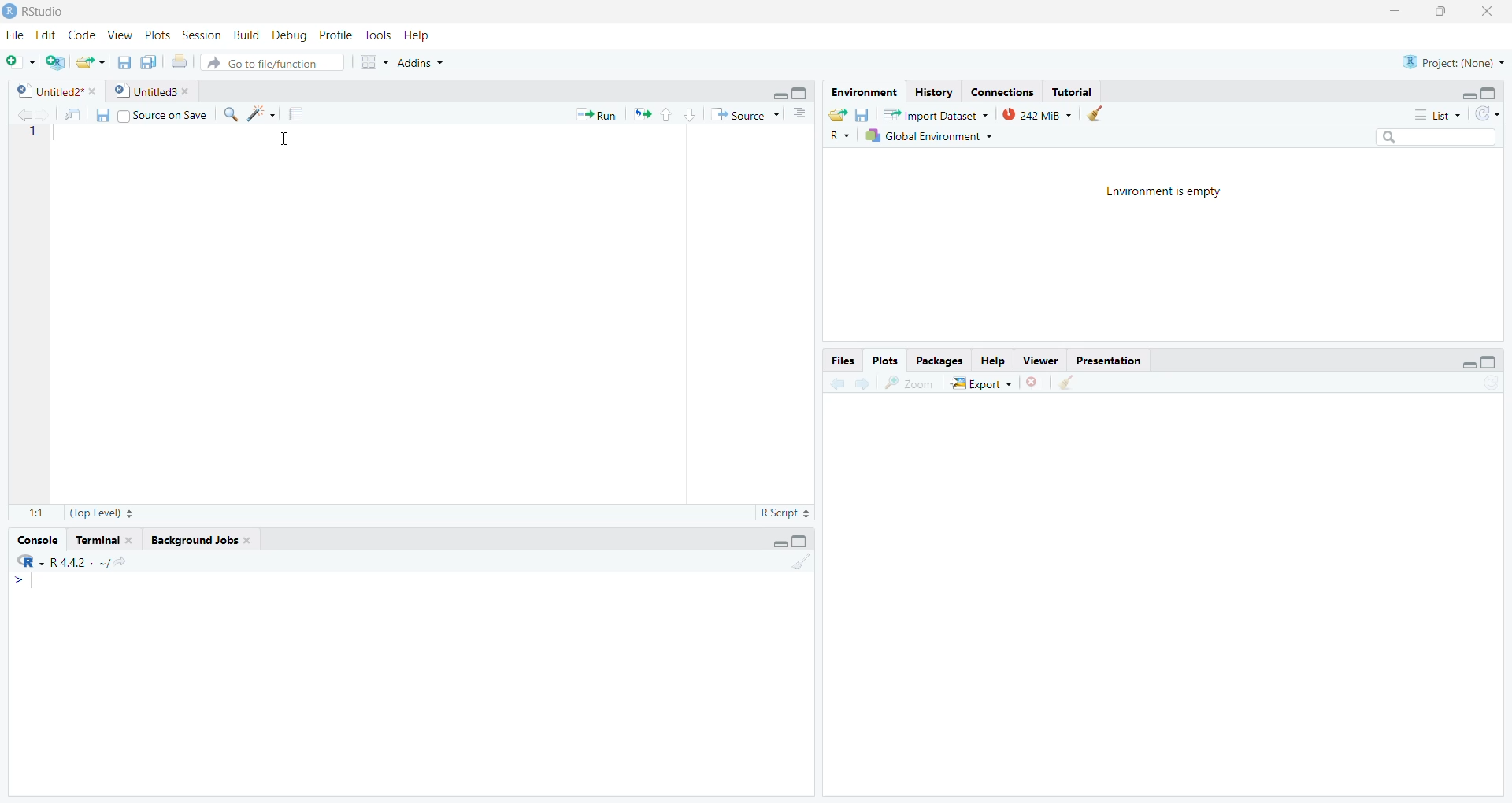  Describe the element at coordinates (1490, 362) in the screenshot. I see `maximize` at that location.